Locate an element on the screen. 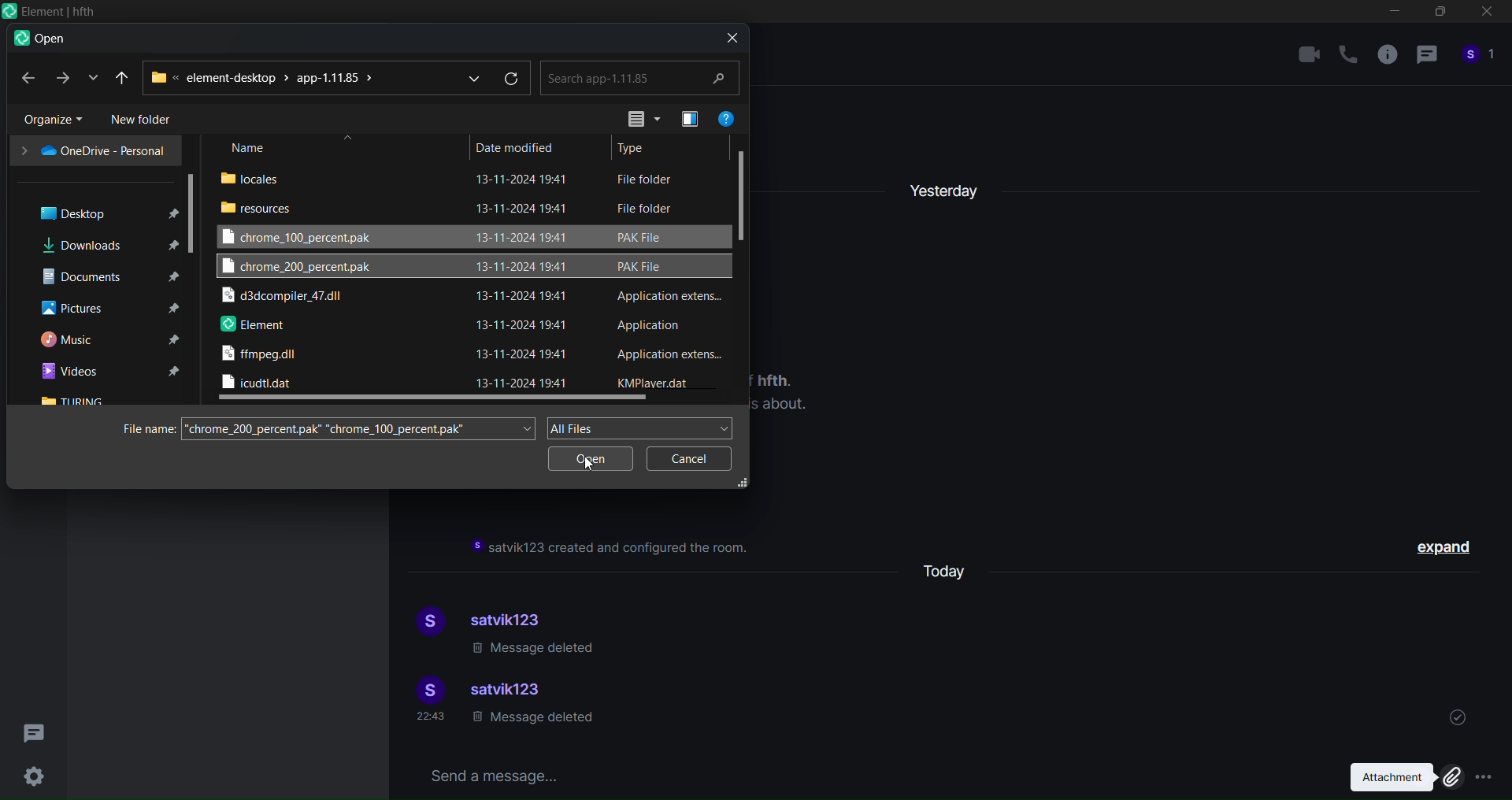 This screenshot has height=800, width=1512. all files is located at coordinates (643, 427).